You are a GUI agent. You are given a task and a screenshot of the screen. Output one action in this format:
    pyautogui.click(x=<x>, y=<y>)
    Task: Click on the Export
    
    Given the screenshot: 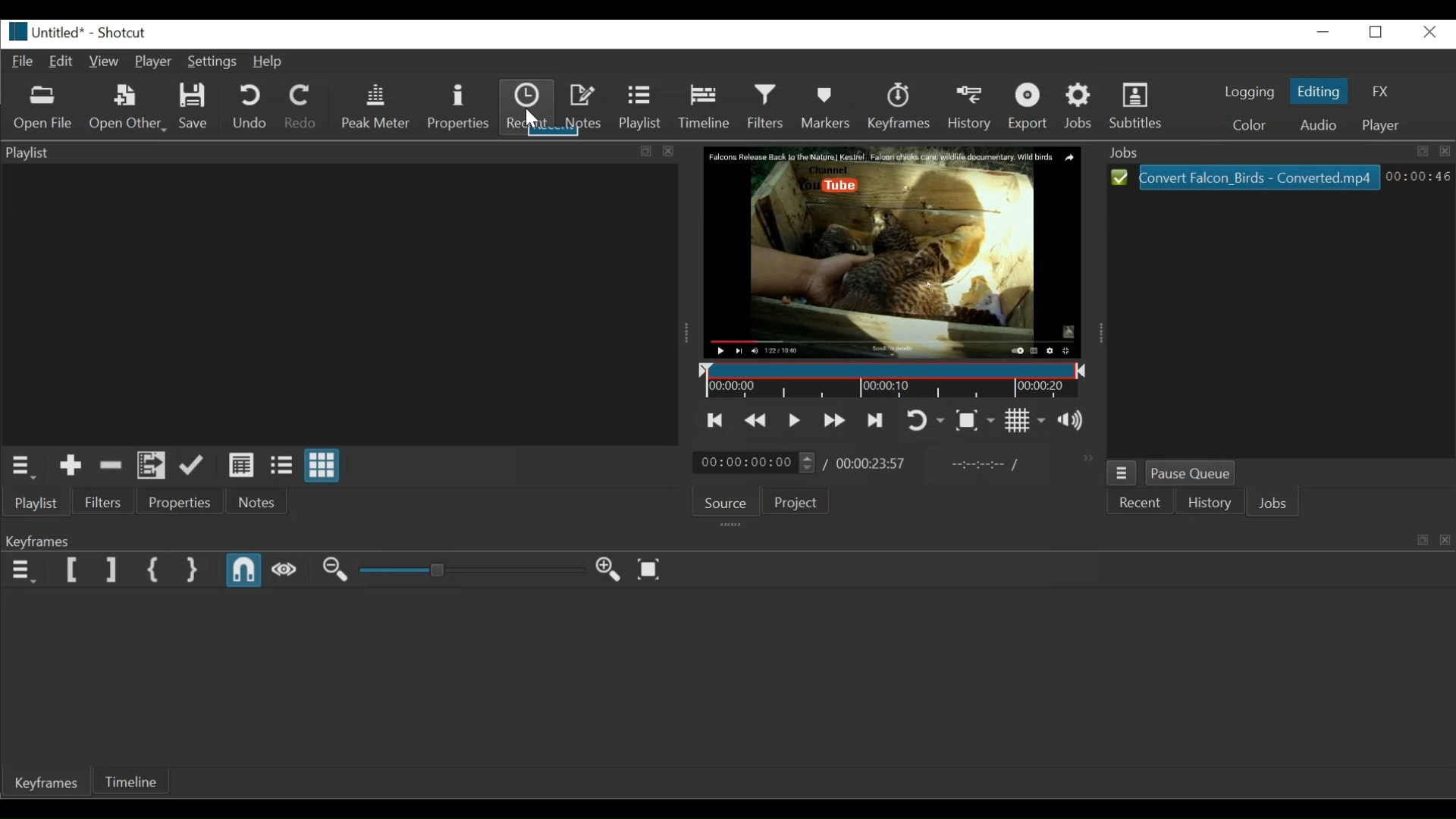 What is the action you would take?
    pyautogui.click(x=1030, y=106)
    